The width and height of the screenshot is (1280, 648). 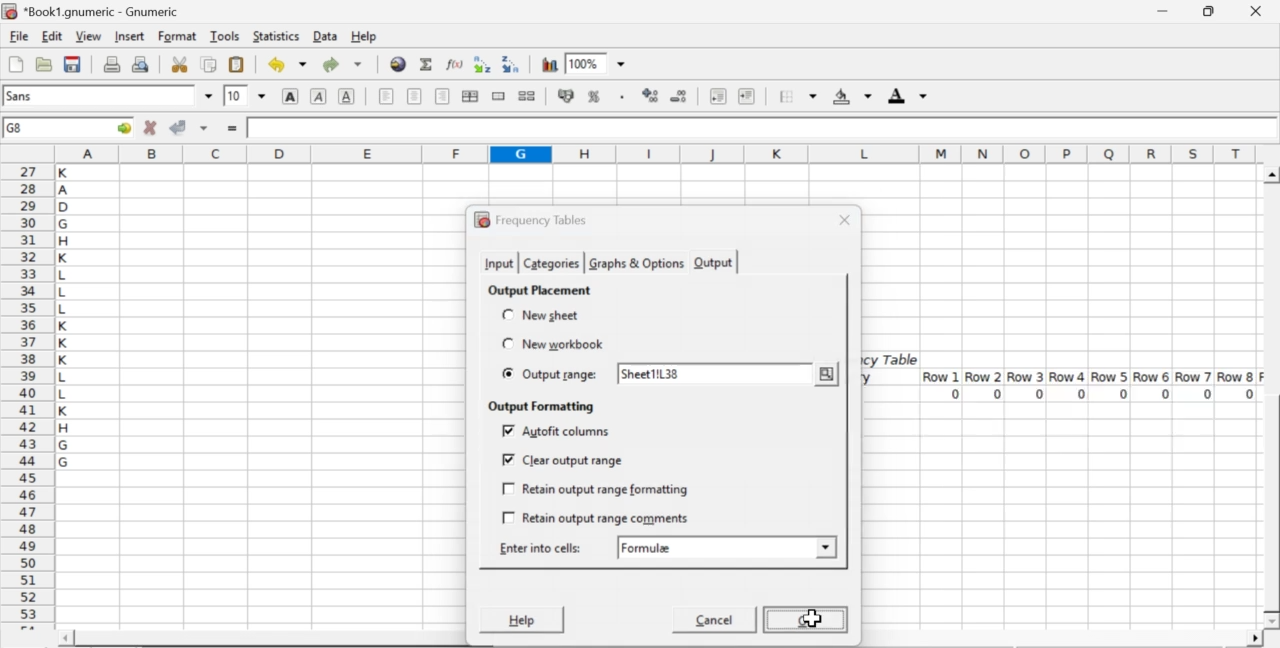 I want to click on edit function in current cell, so click(x=456, y=63).